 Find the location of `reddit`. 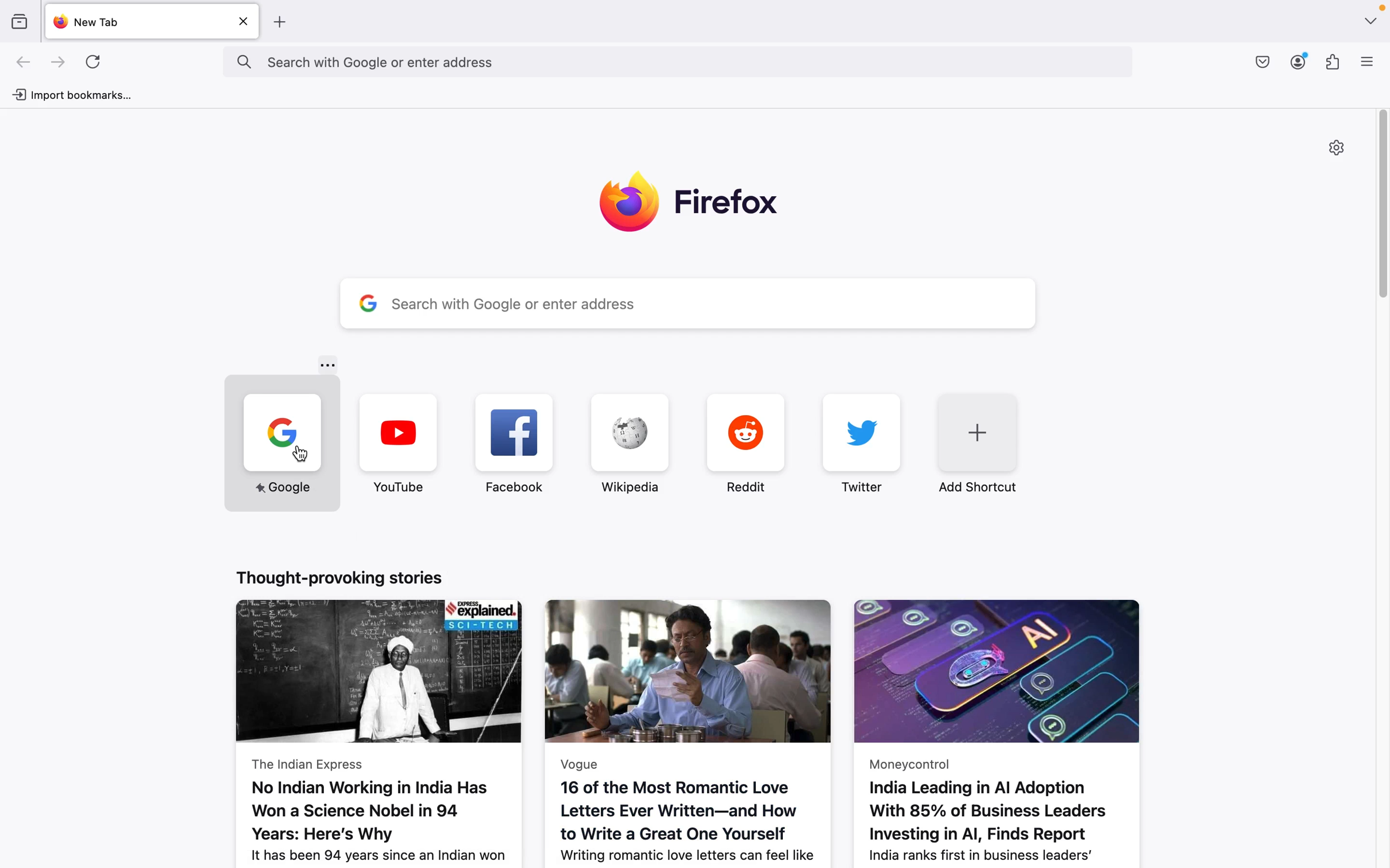

reddit is located at coordinates (735, 444).